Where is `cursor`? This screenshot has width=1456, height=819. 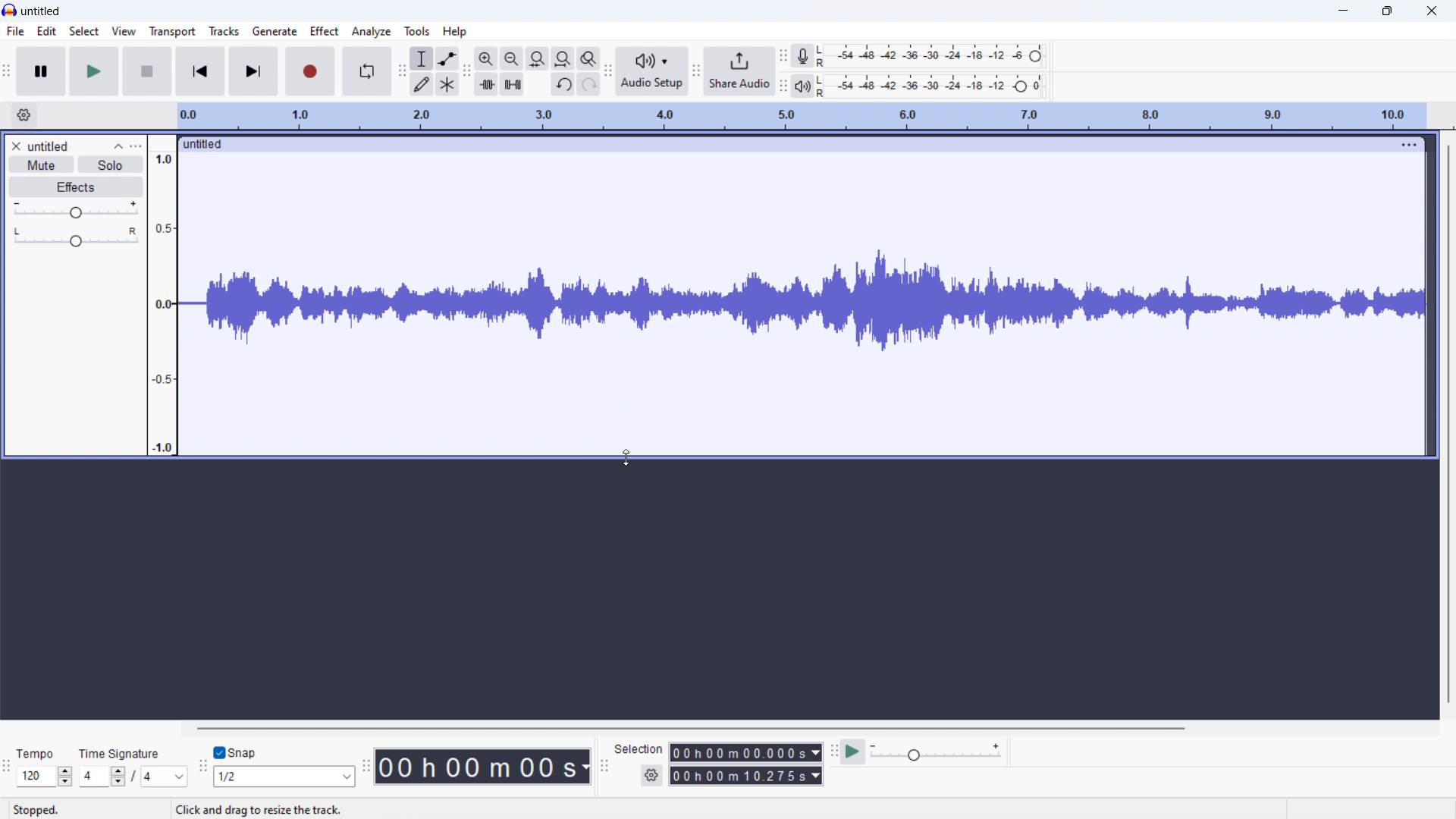
cursor is located at coordinates (620, 459).